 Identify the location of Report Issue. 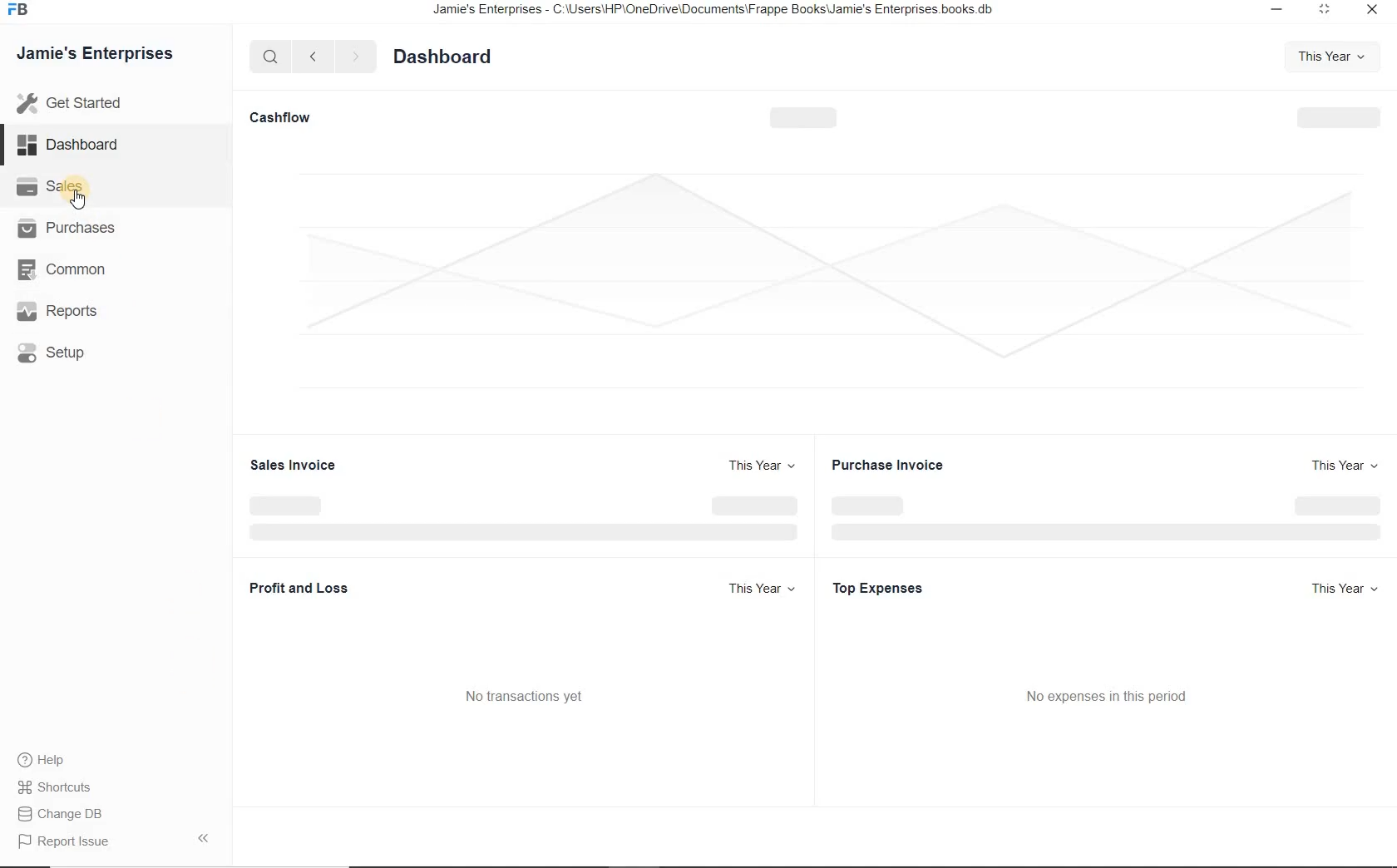
(62, 842).